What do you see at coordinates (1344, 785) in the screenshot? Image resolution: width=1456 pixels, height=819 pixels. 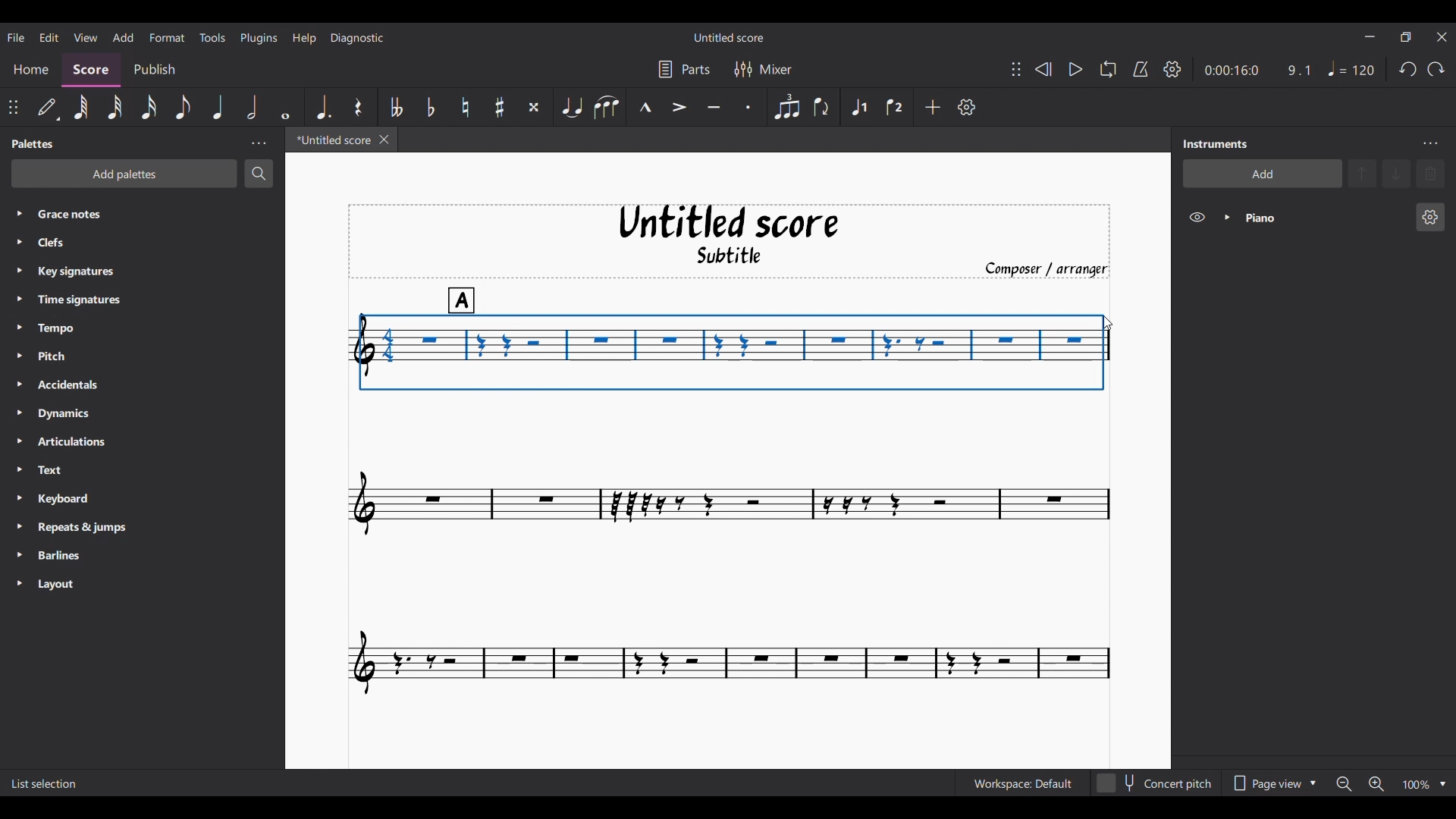 I see `Zoom out` at bounding box center [1344, 785].